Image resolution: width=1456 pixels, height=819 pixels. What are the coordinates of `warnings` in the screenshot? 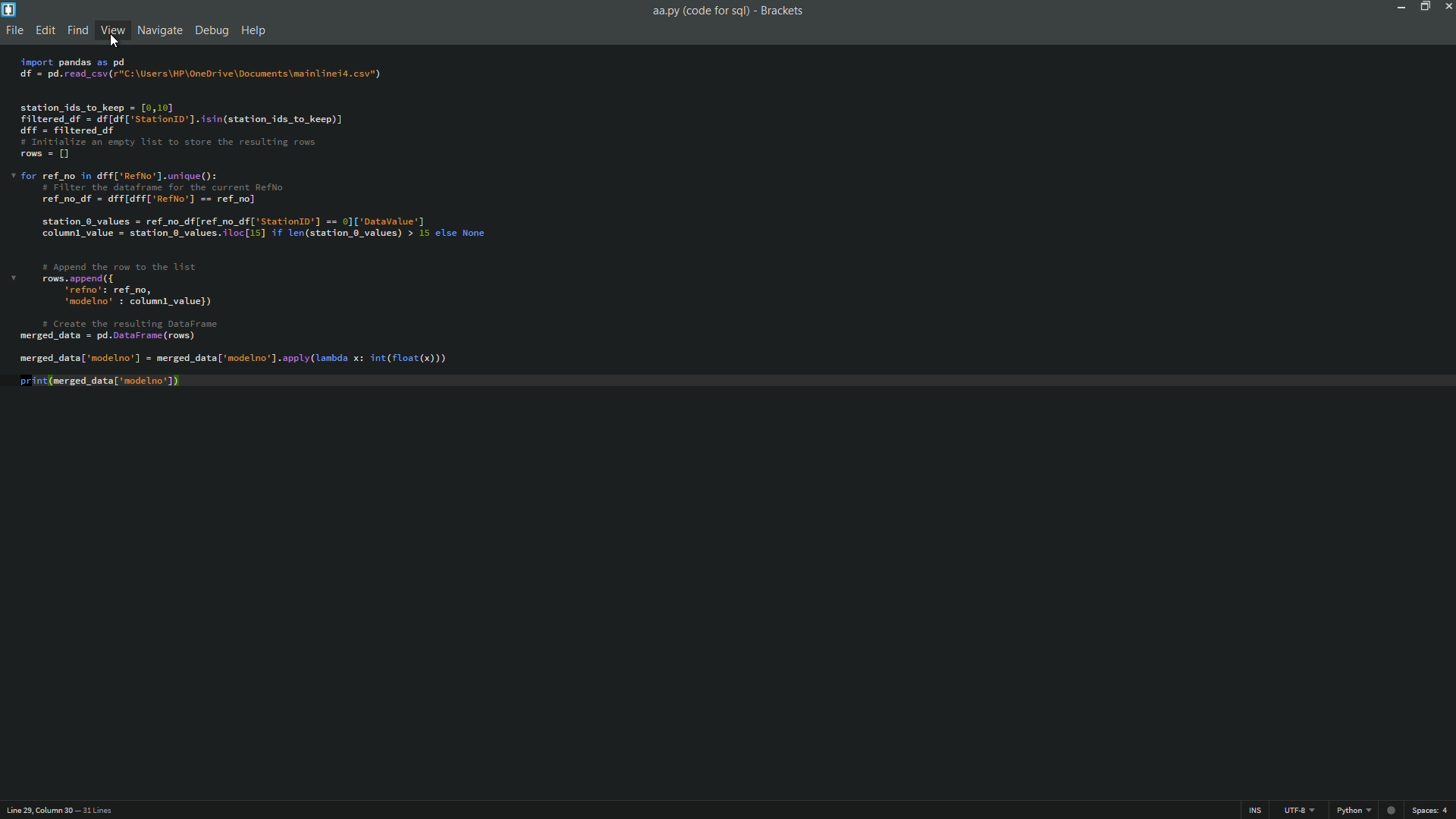 It's located at (1391, 808).